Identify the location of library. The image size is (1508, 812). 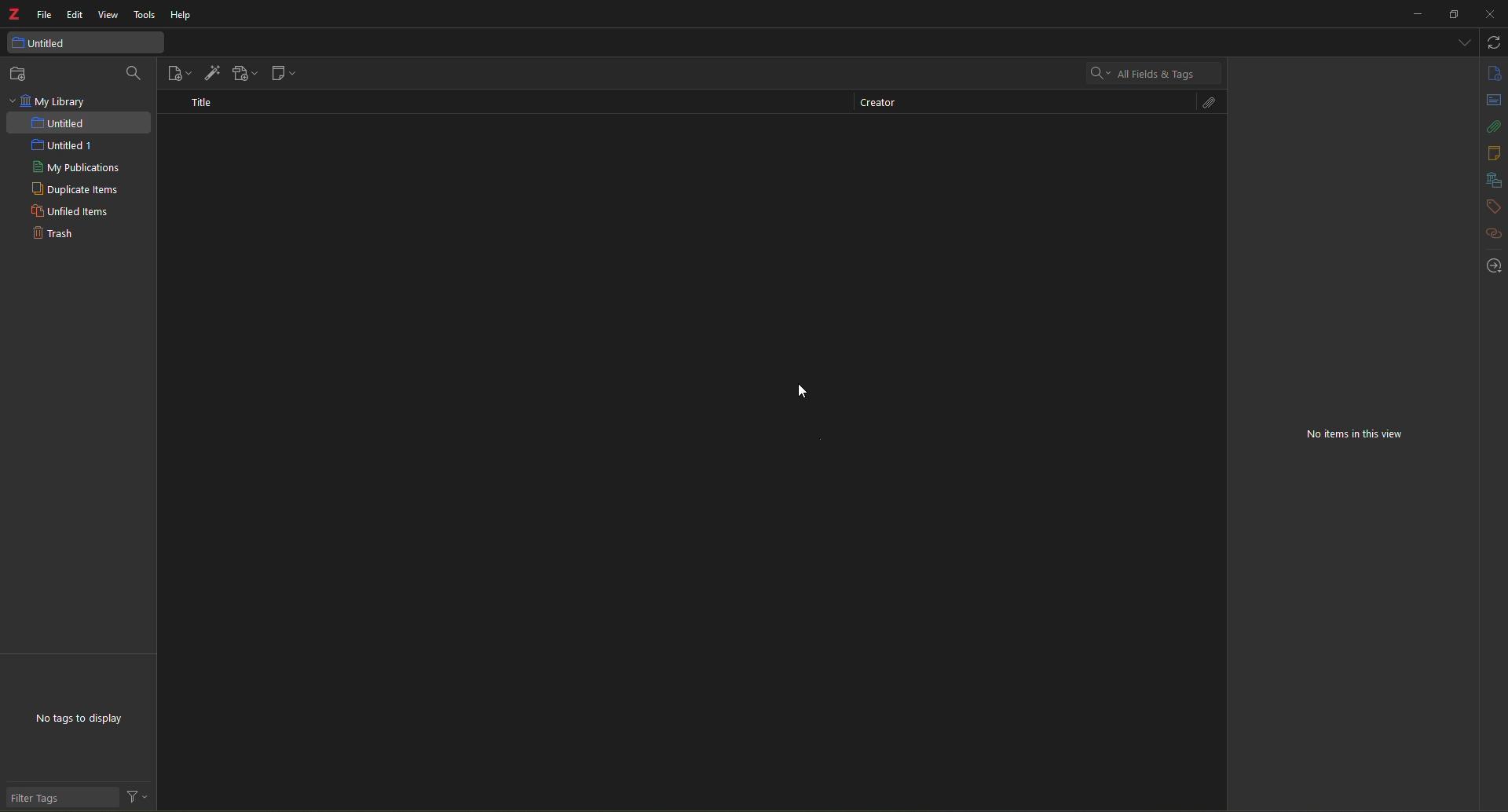
(1493, 179).